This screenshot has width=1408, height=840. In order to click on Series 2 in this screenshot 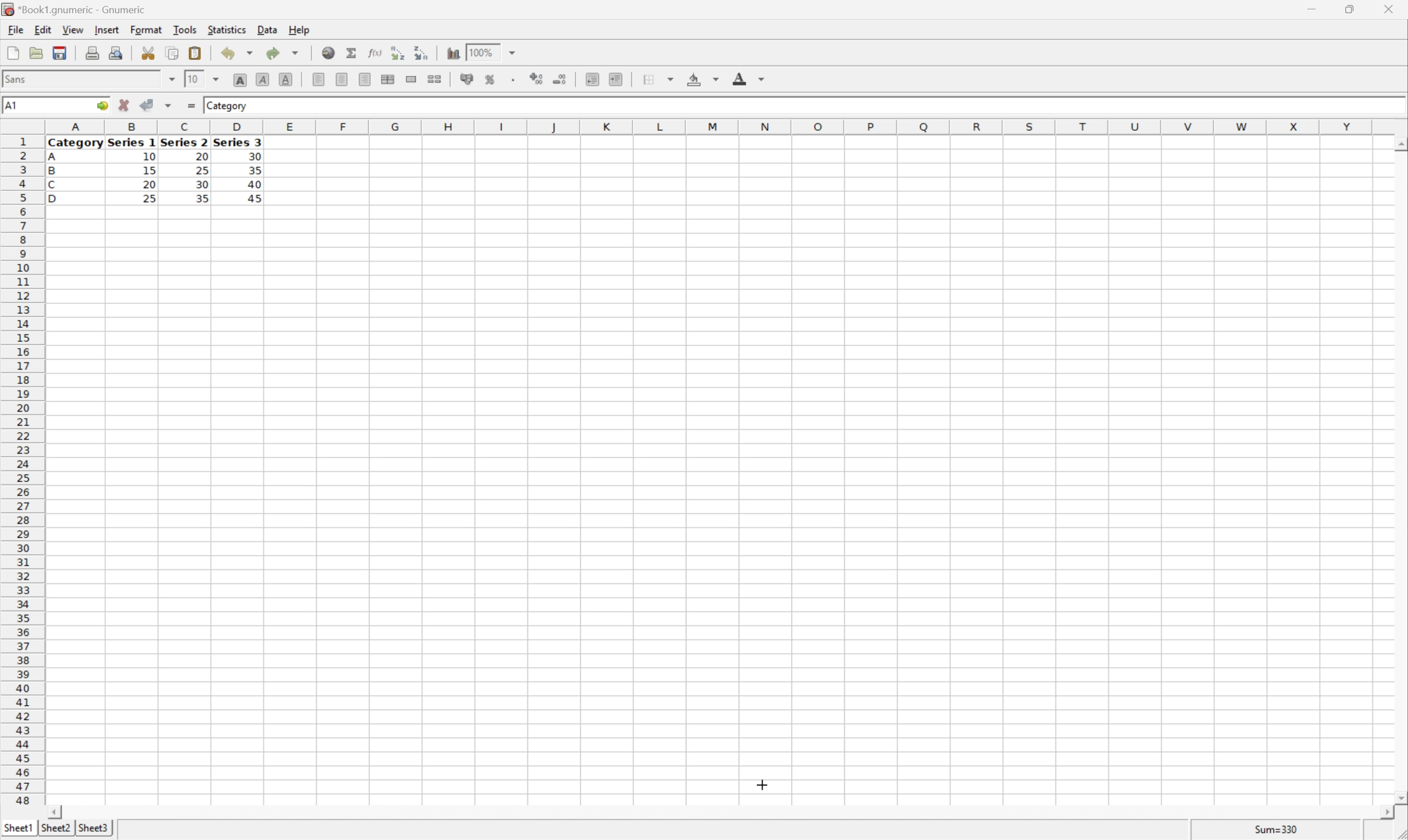, I will do `click(183, 142)`.